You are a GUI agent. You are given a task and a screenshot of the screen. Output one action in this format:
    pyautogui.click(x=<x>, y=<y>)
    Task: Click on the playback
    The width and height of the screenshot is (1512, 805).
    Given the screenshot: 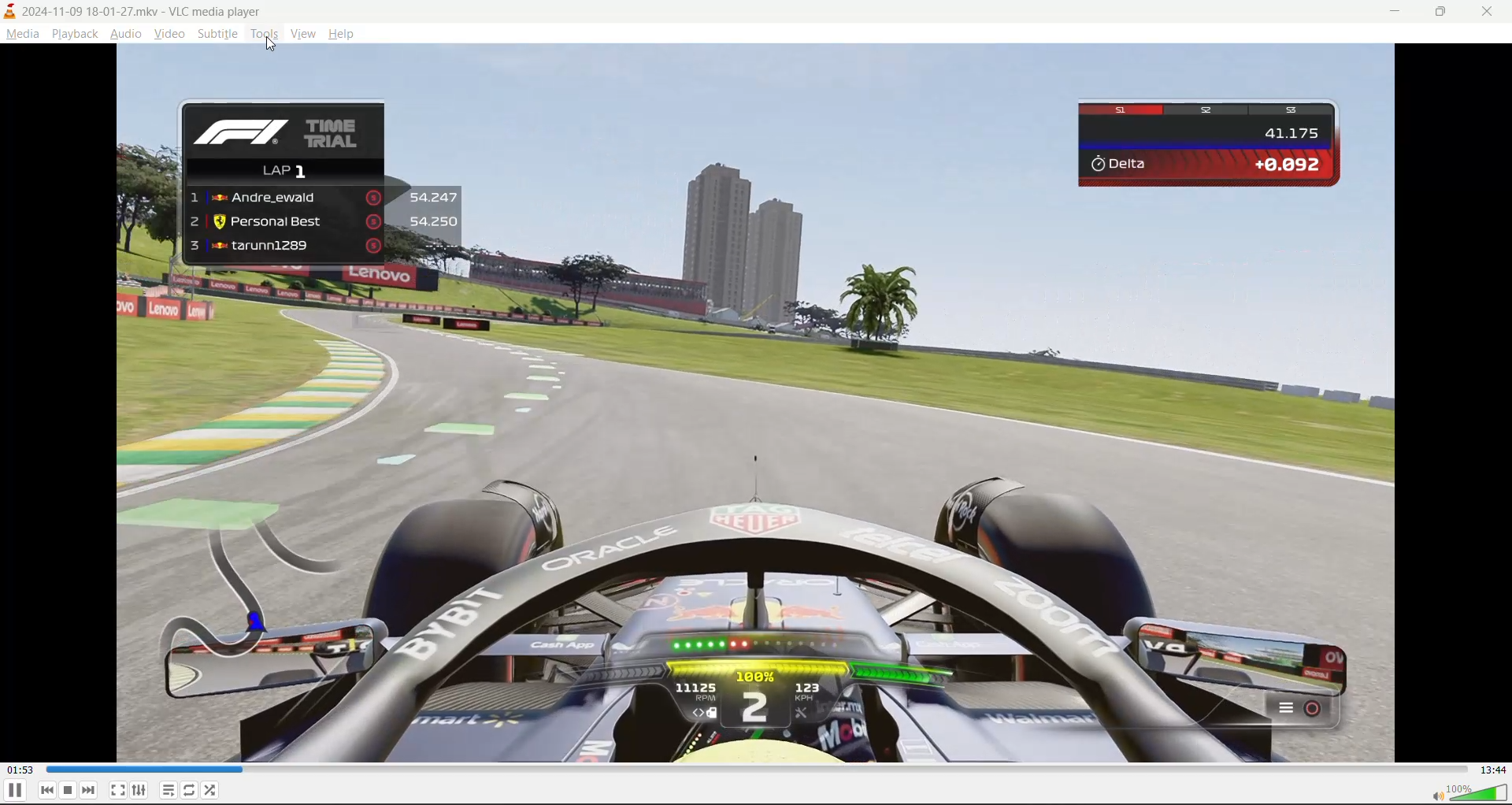 What is the action you would take?
    pyautogui.click(x=72, y=32)
    